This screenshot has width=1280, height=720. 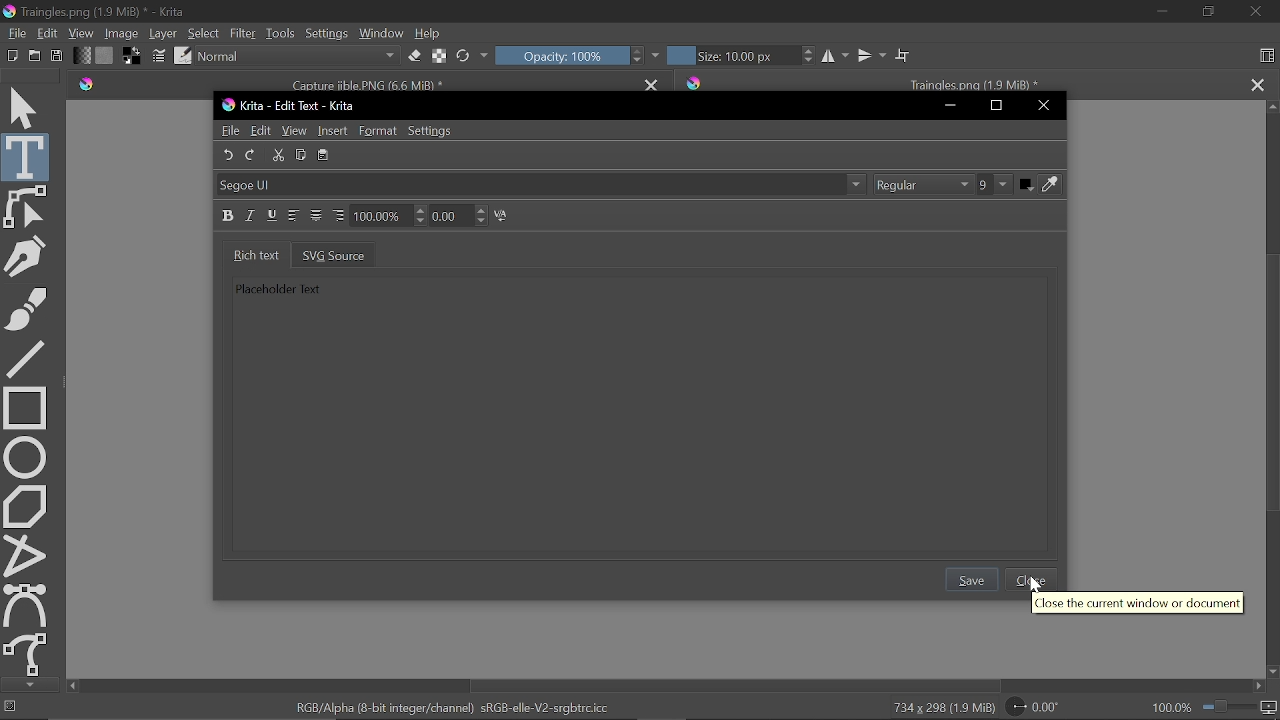 What do you see at coordinates (1272, 109) in the screenshot?
I see `Move up` at bounding box center [1272, 109].